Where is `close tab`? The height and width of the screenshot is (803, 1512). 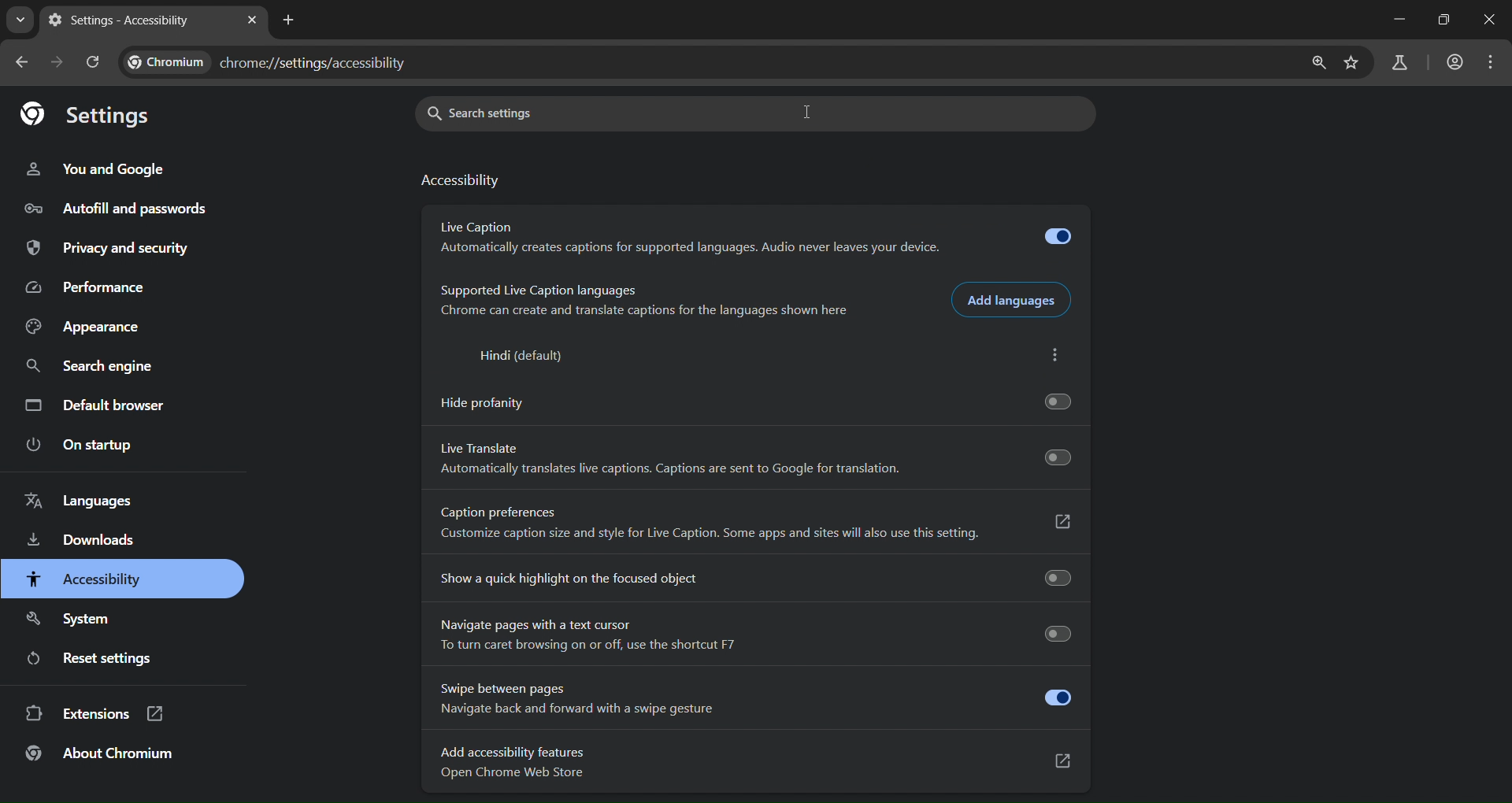
close tab is located at coordinates (253, 19).